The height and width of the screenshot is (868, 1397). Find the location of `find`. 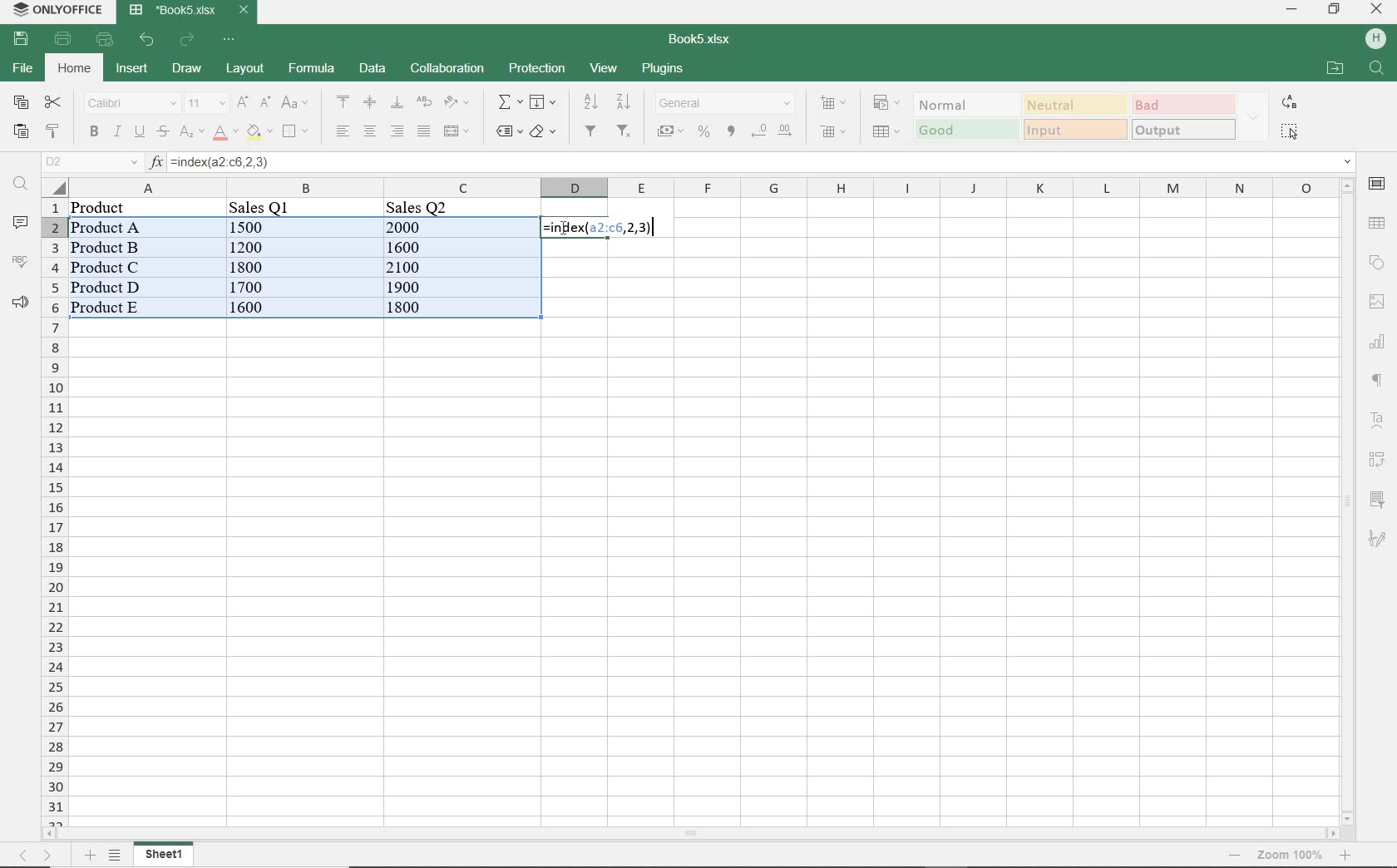

find is located at coordinates (21, 185).